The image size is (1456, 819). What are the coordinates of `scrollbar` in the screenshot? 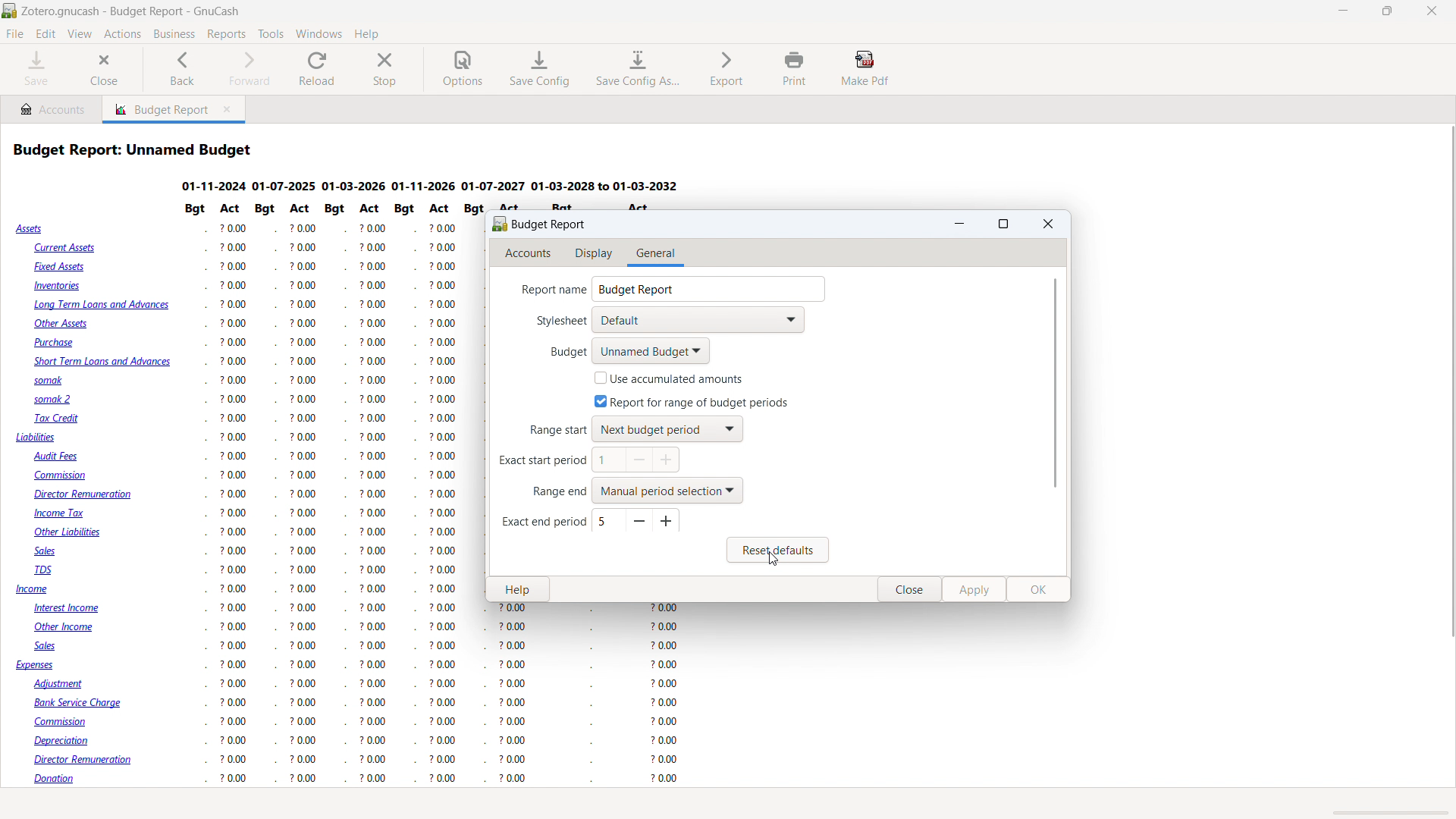 It's located at (1055, 384).